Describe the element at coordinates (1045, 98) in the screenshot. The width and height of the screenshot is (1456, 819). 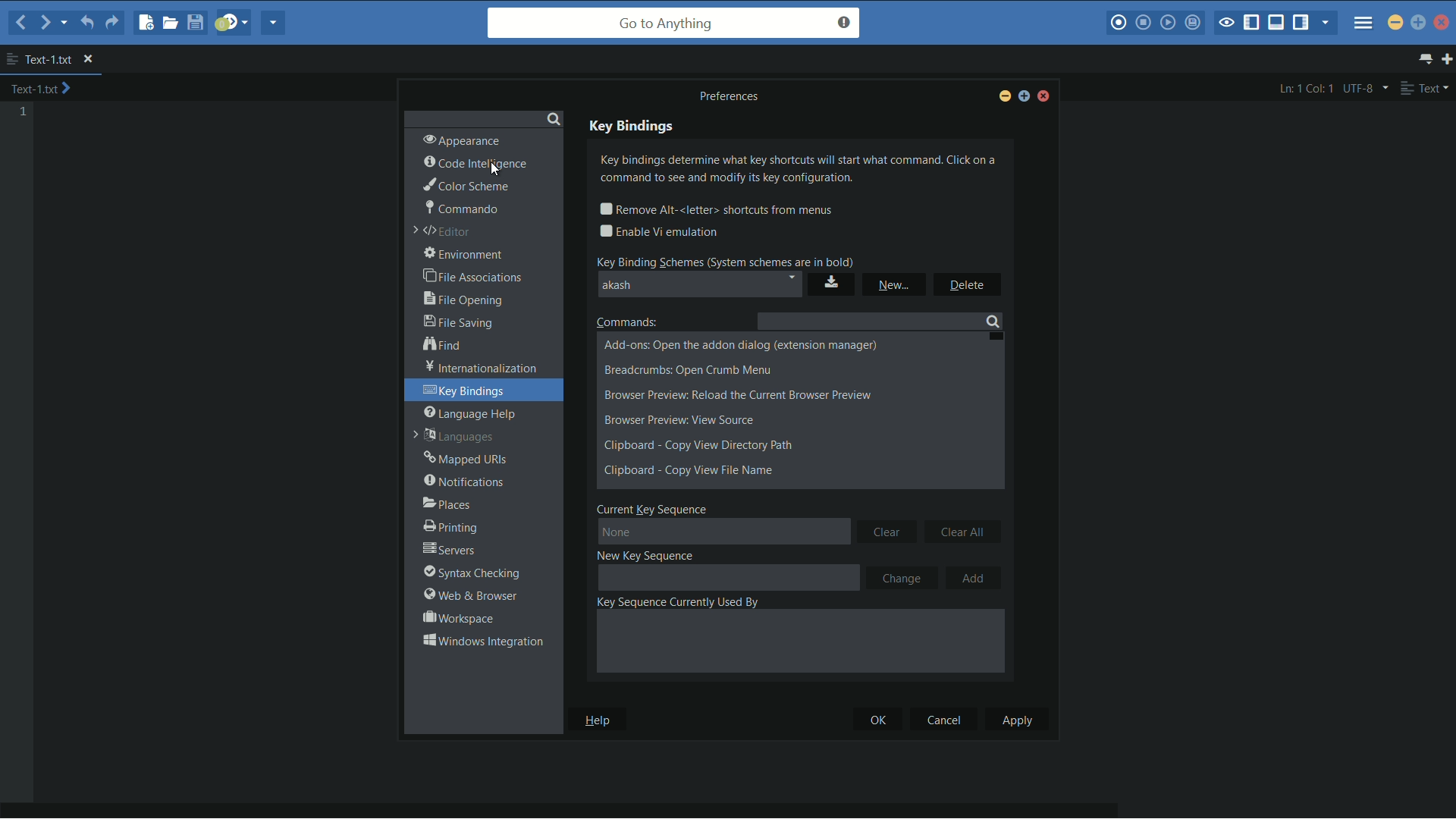
I see `close window` at that location.